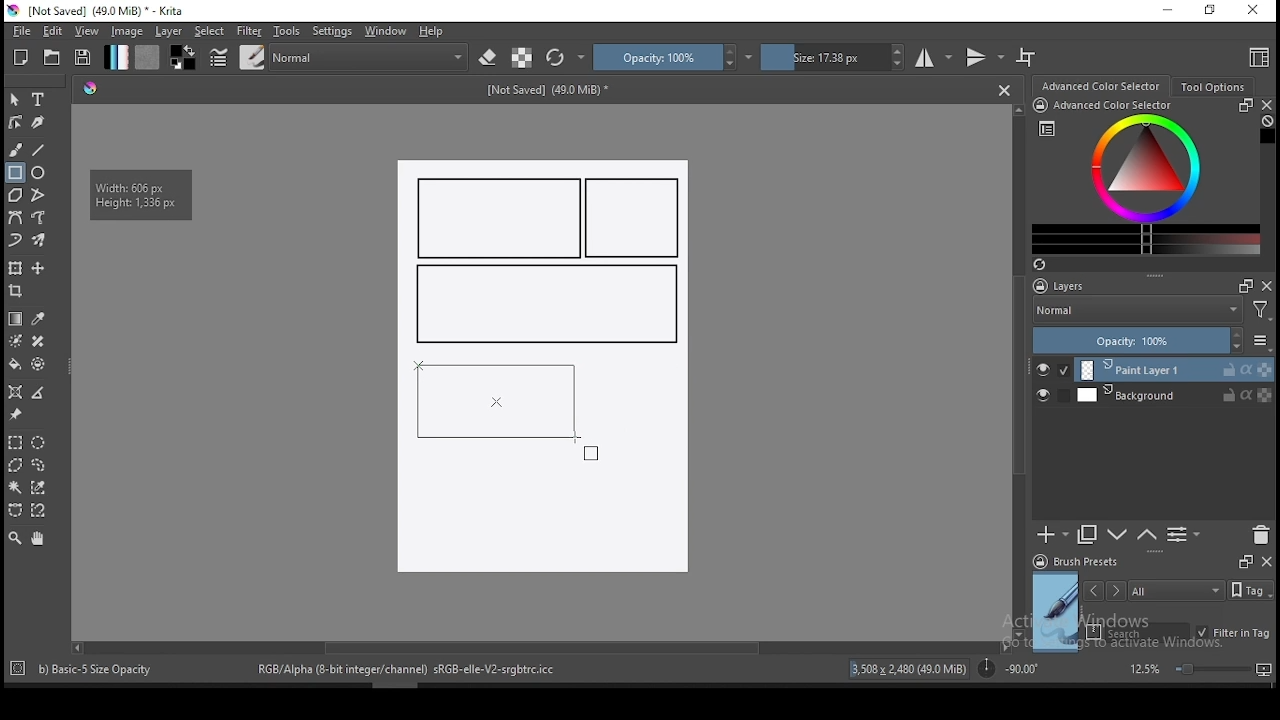  Describe the element at coordinates (21, 31) in the screenshot. I see `file` at that location.